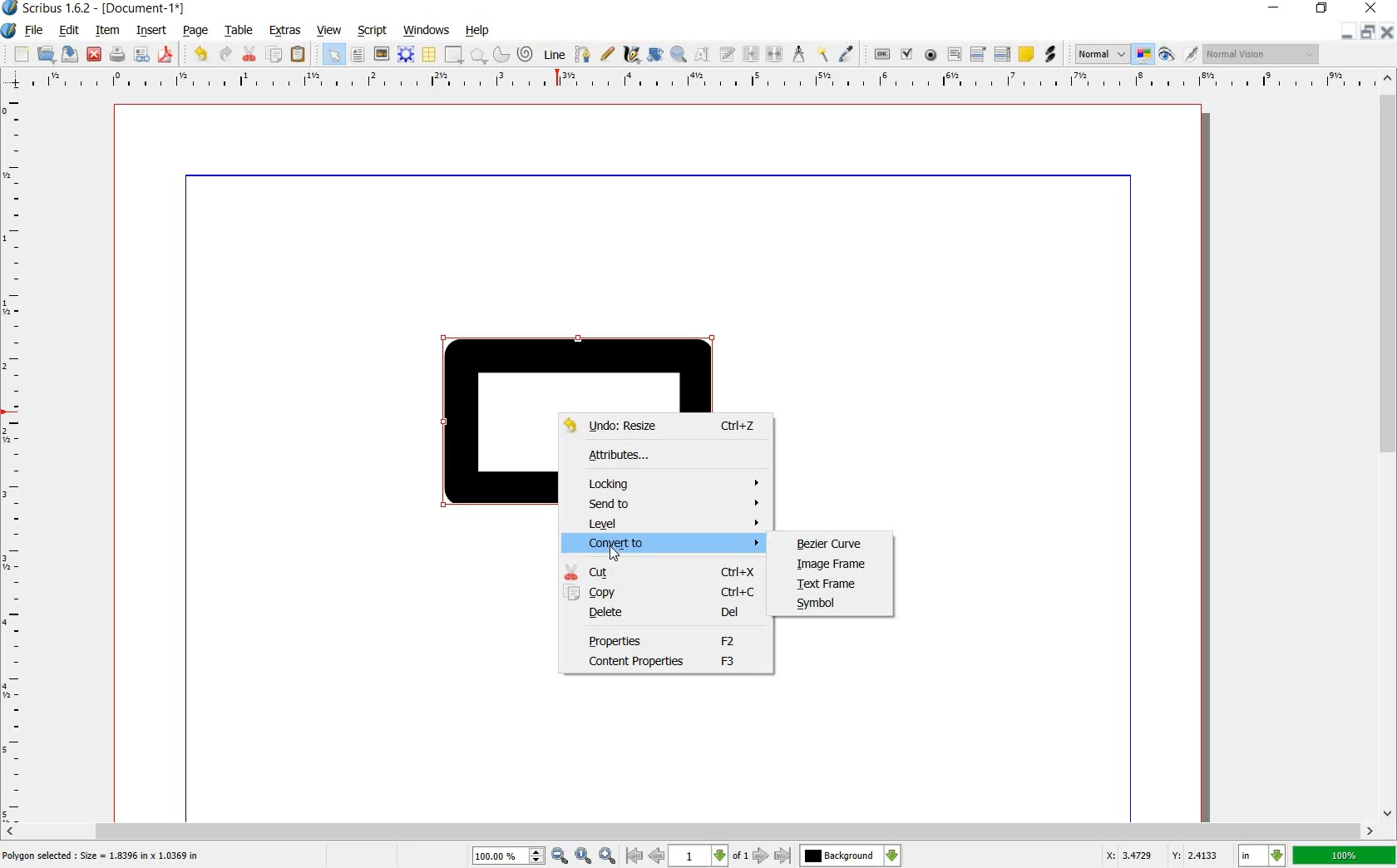  I want to click on link annotation, so click(1051, 55).